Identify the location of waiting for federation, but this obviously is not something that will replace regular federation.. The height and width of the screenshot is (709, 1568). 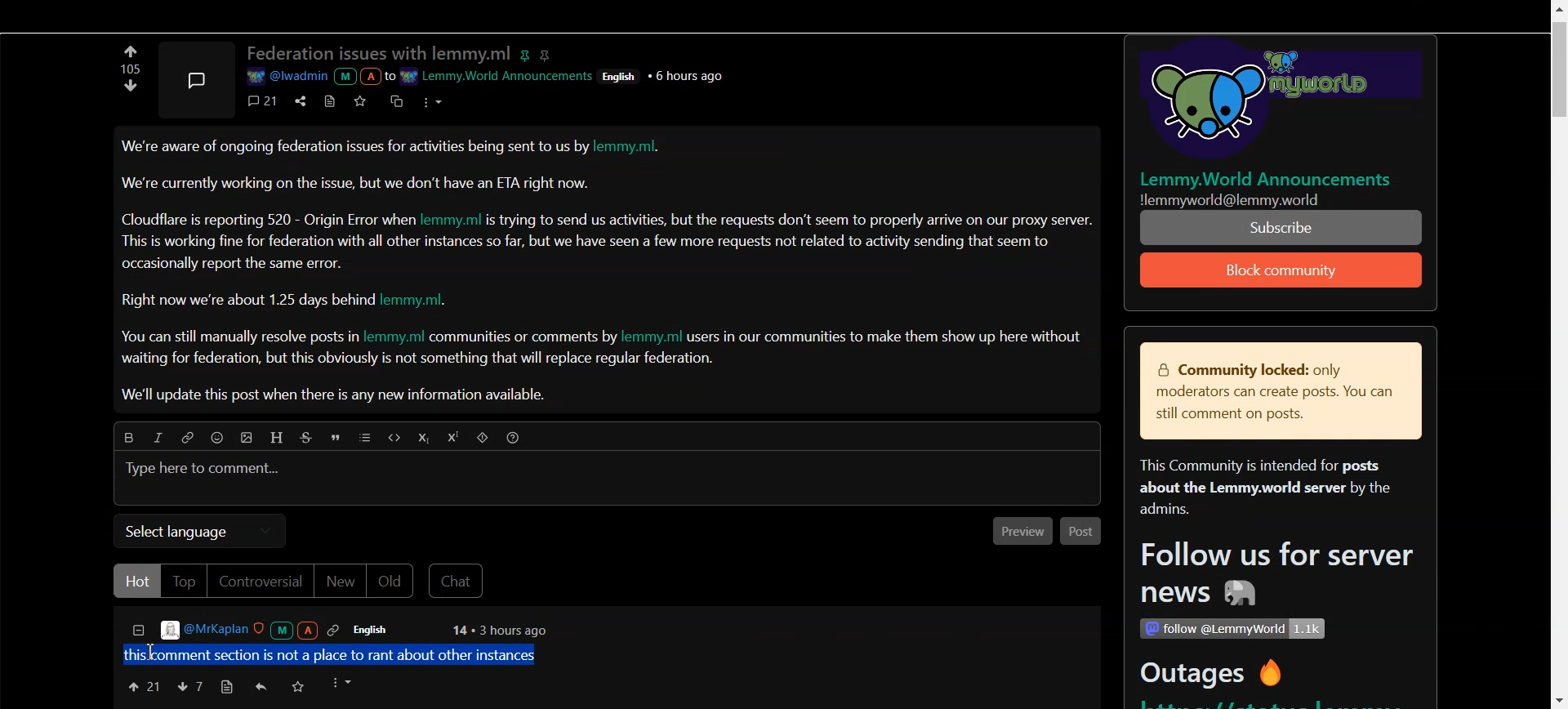
(420, 360).